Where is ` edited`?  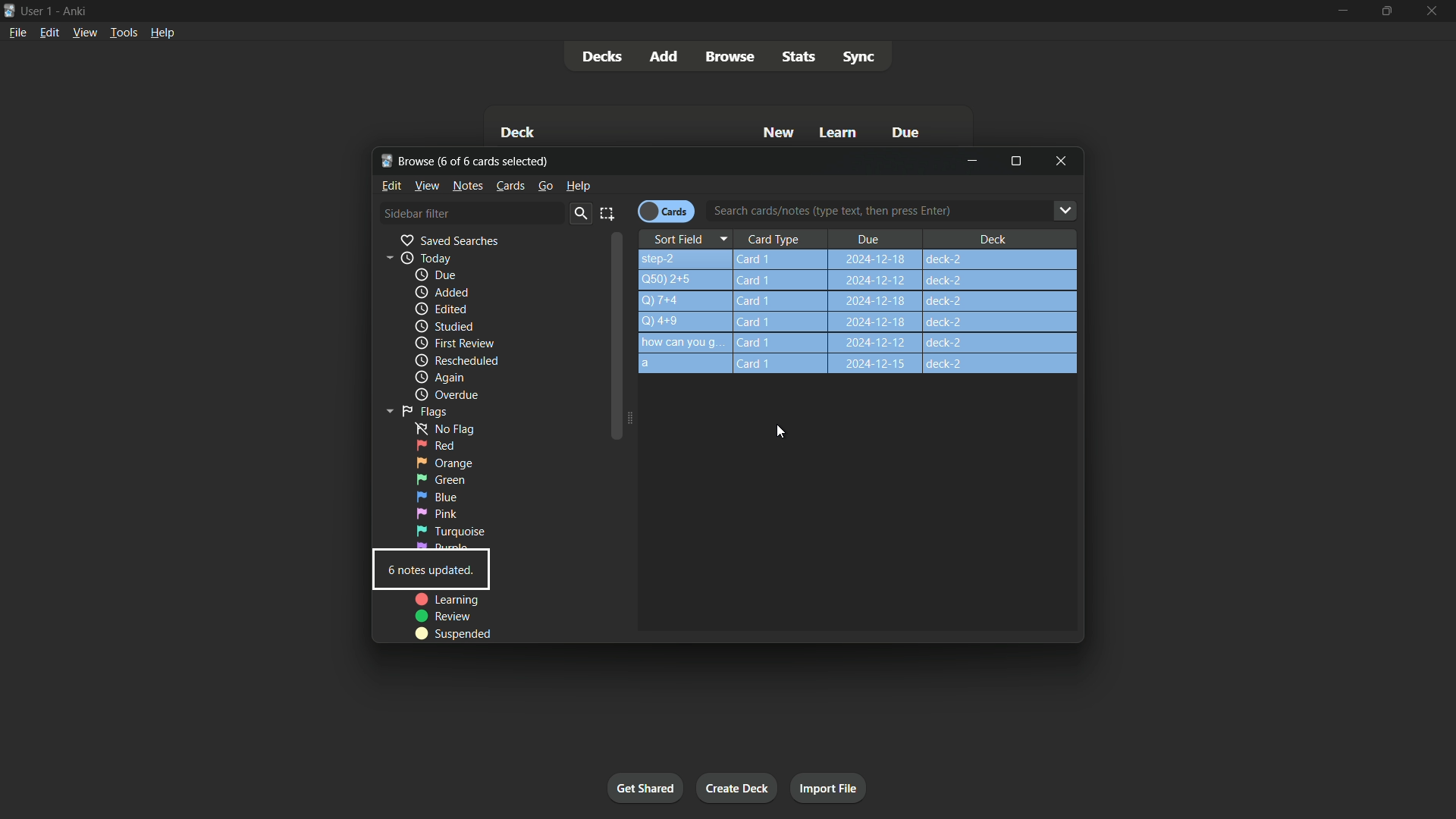  edited is located at coordinates (440, 308).